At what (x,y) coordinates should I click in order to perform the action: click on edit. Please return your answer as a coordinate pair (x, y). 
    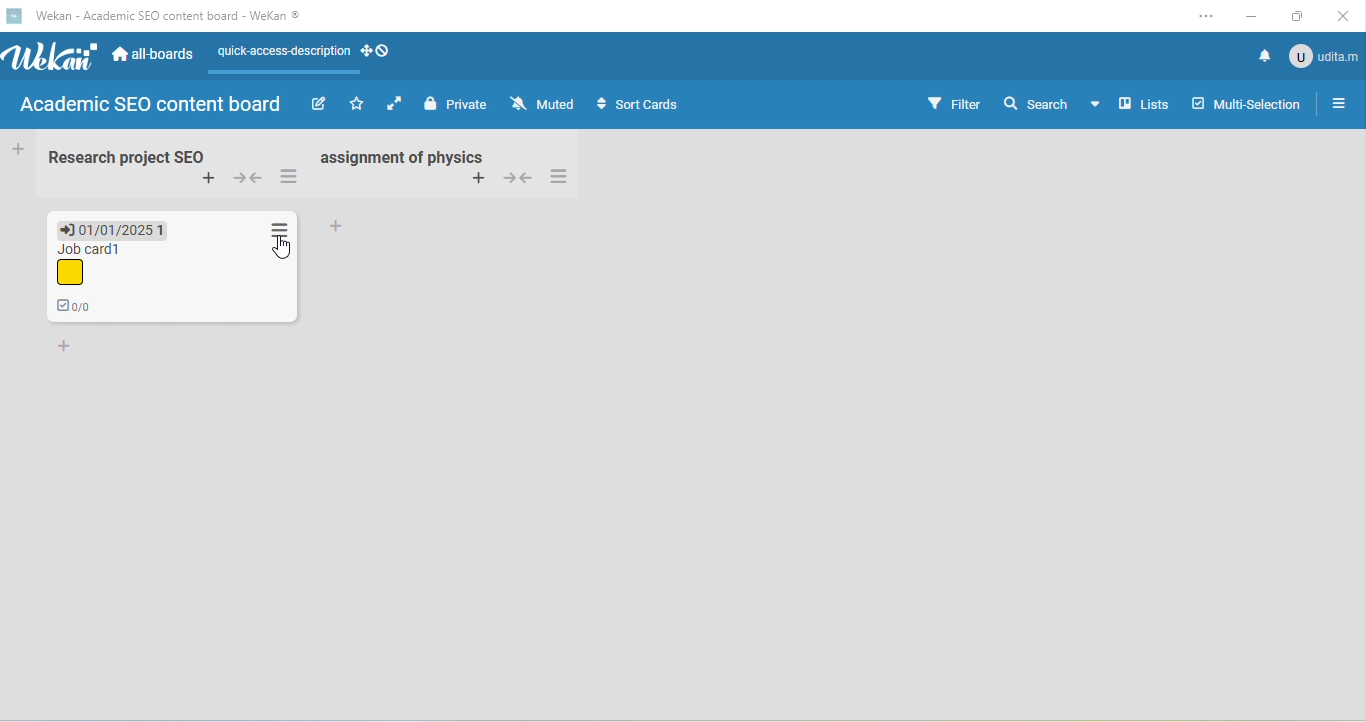
    Looking at the image, I should click on (317, 104).